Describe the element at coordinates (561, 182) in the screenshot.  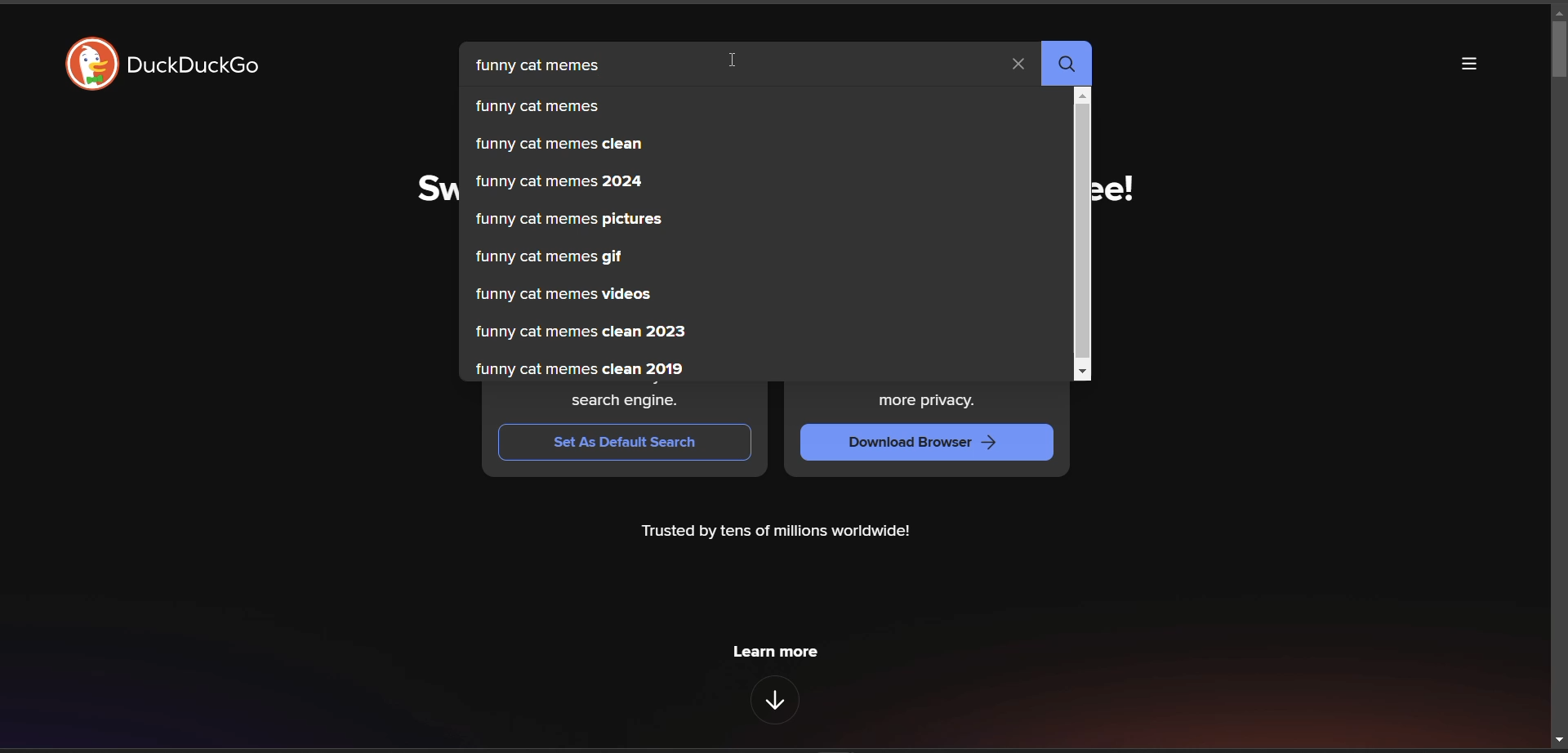
I see `funny cat memes 2024` at that location.